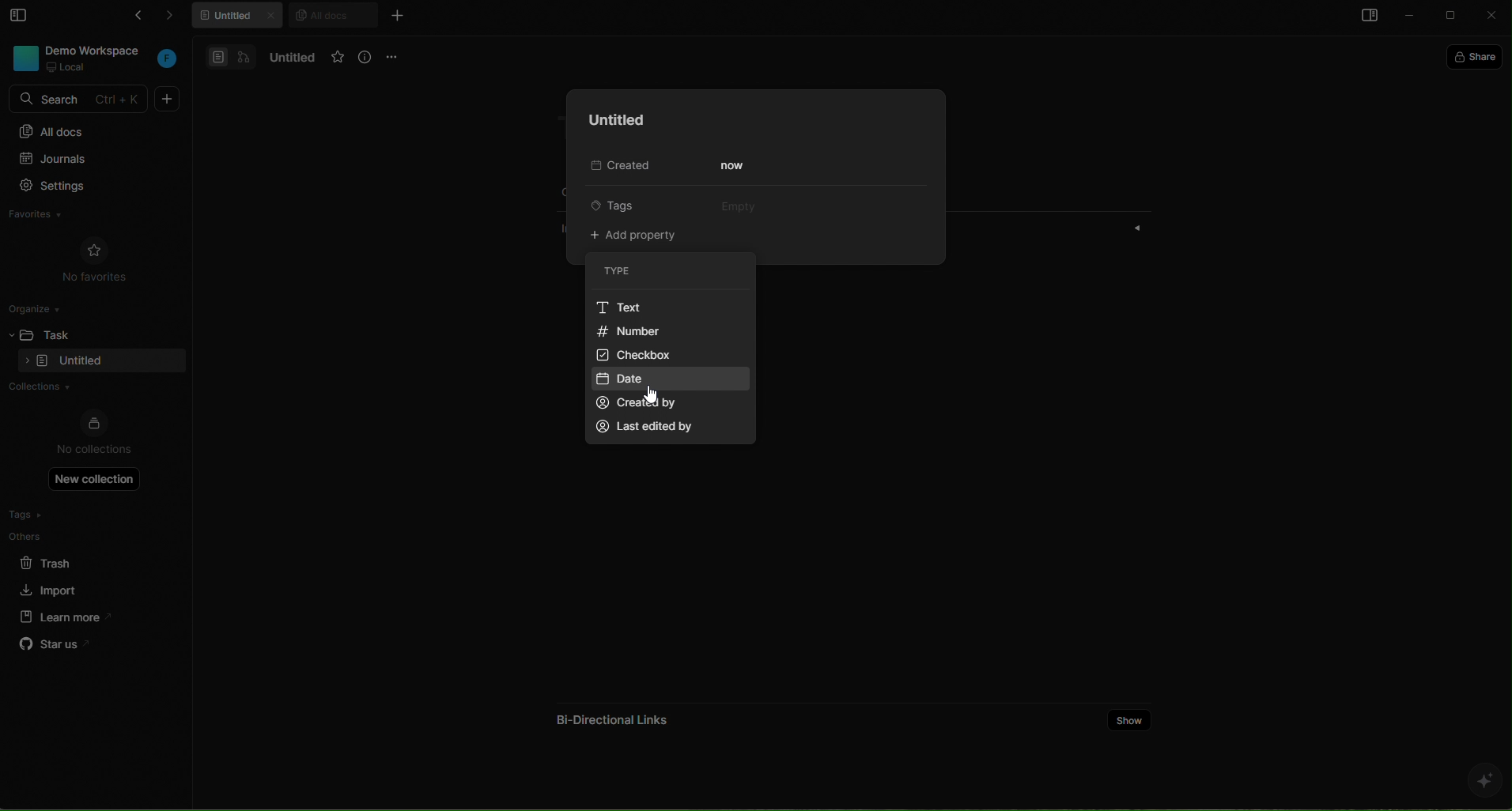 The height and width of the screenshot is (811, 1512). What do you see at coordinates (168, 60) in the screenshot?
I see `workspace initial` at bounding box center [168, 60].